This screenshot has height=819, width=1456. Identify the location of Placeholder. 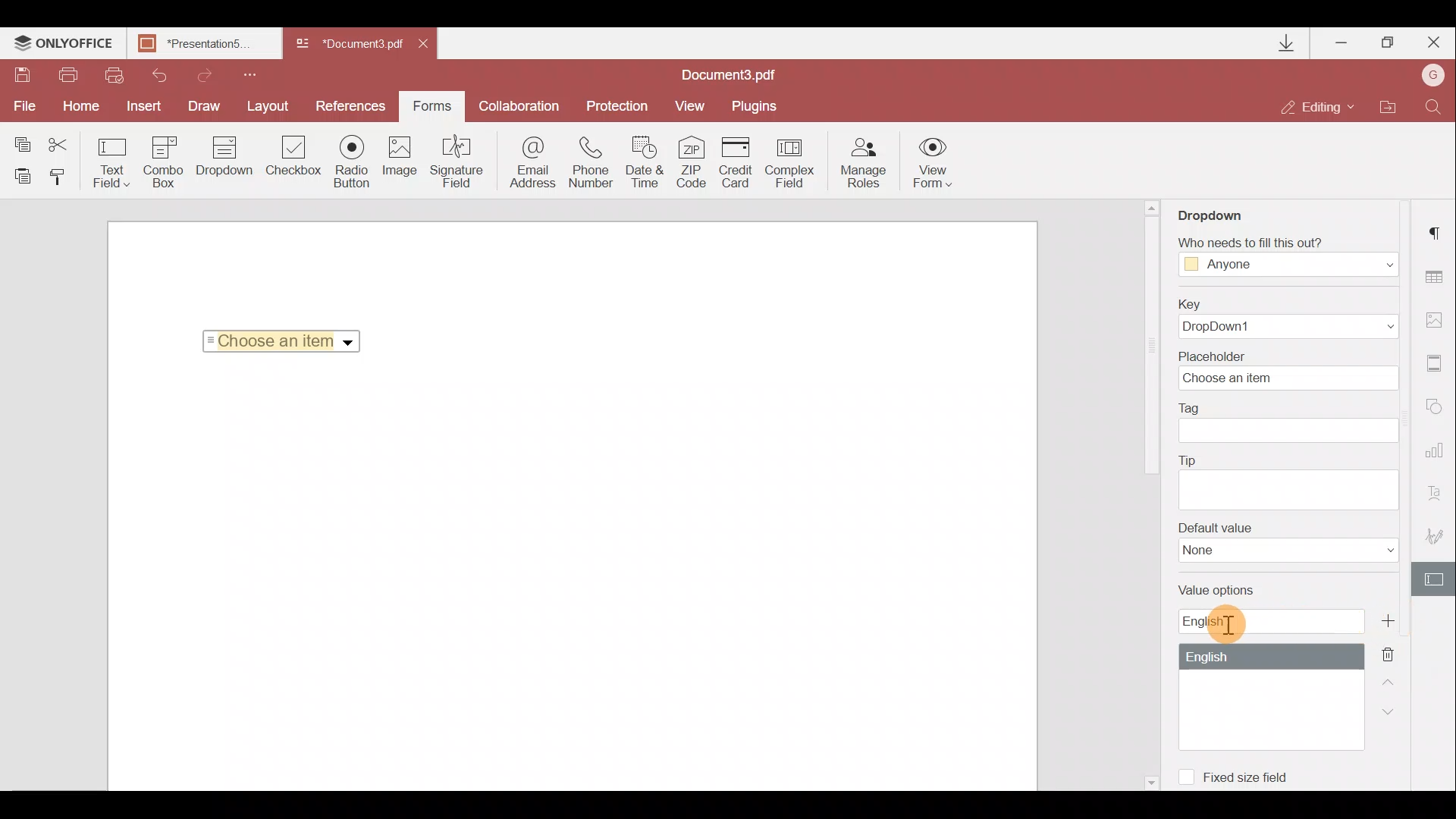
(1293, 369).